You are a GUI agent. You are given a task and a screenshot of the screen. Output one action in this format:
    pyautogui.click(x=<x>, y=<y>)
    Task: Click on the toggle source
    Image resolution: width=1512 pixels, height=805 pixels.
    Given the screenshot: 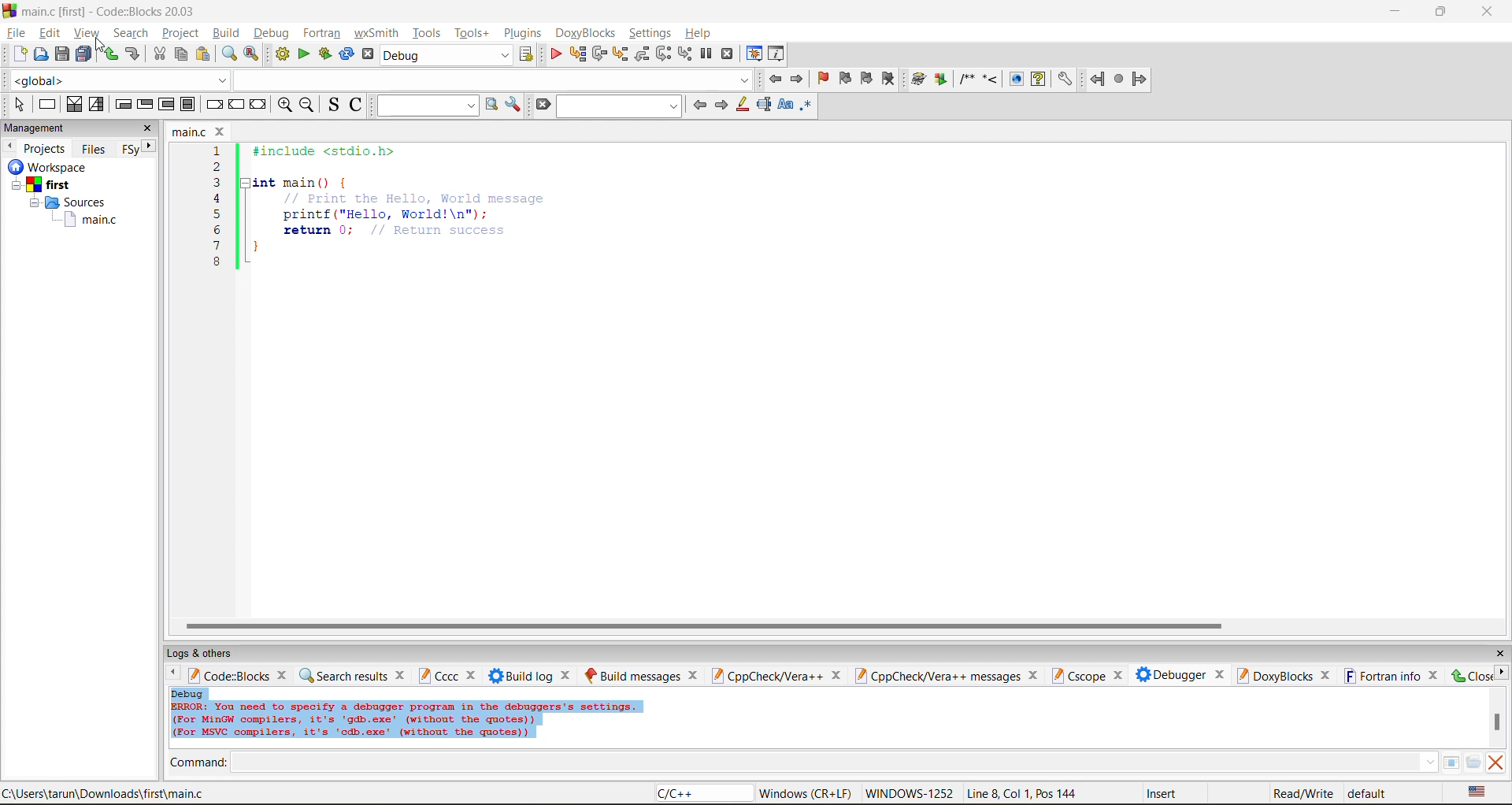 What is the action you would take?
    pyautogui.click(x=332, y=104)
    